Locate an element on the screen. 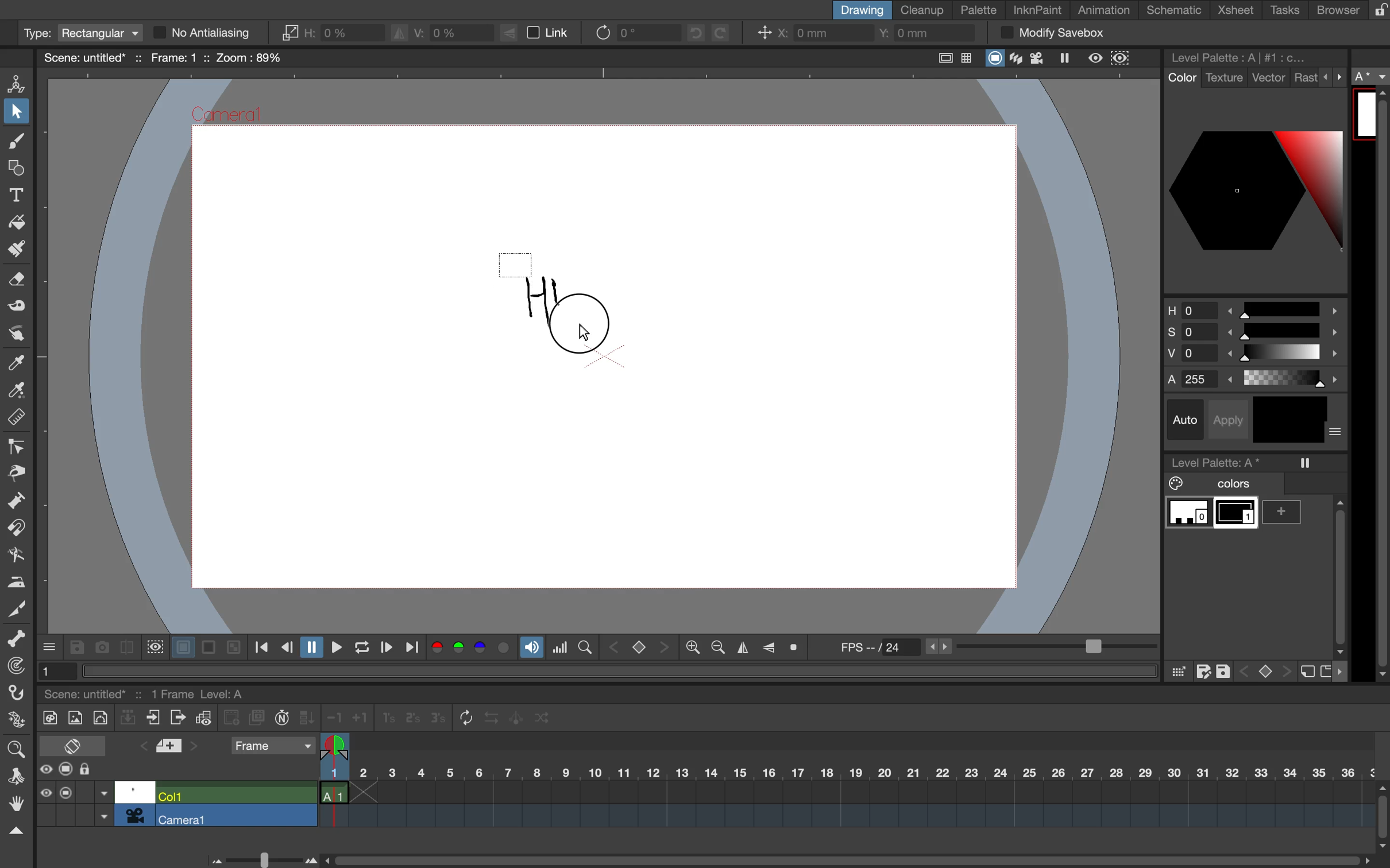 This screenshot has width=1390, height=868. vertical scroll bar sidebar is located at coordinates (1338, 572).